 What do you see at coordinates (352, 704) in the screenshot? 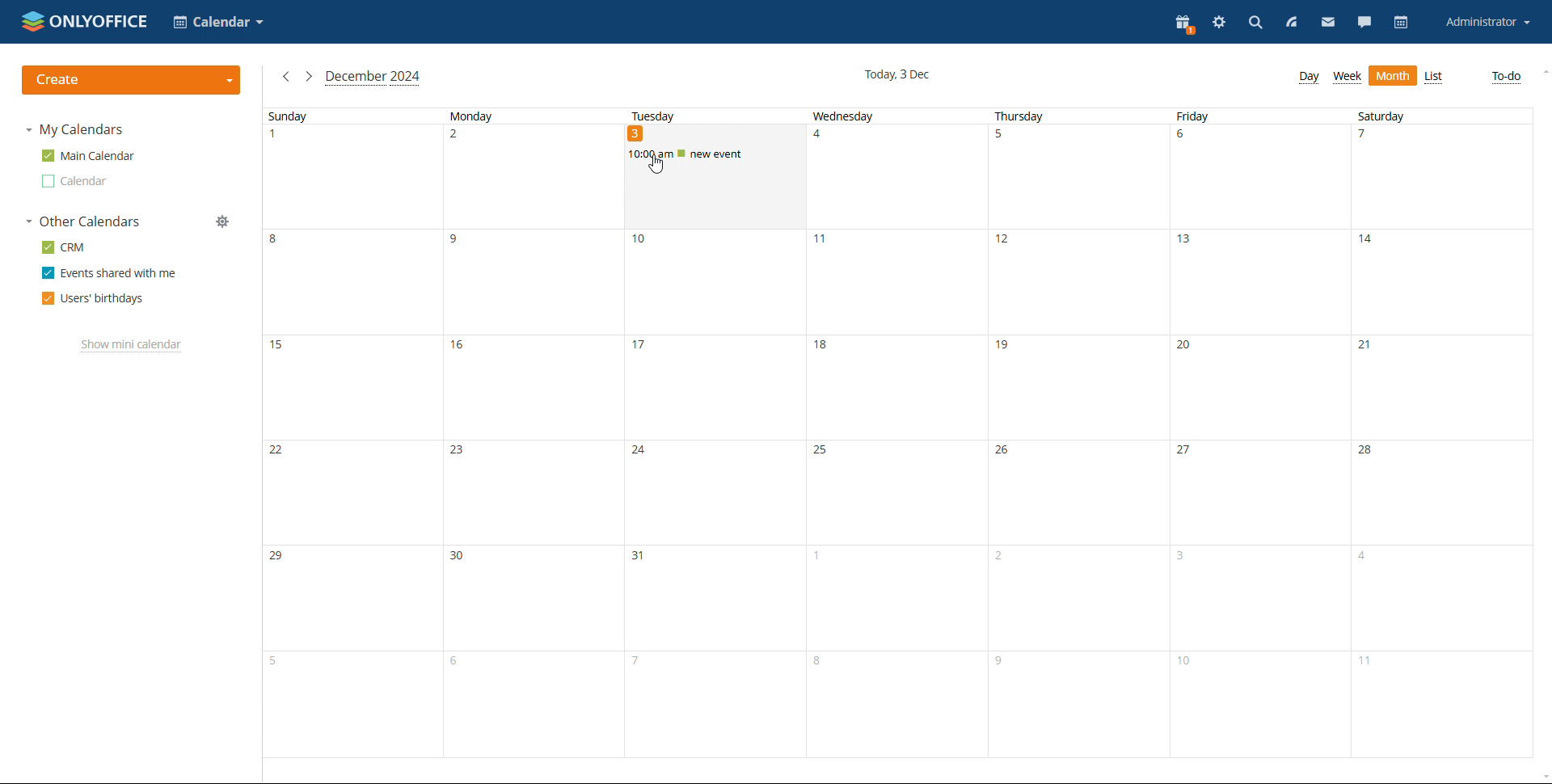
I see `5` at bounding box center [352, 704].